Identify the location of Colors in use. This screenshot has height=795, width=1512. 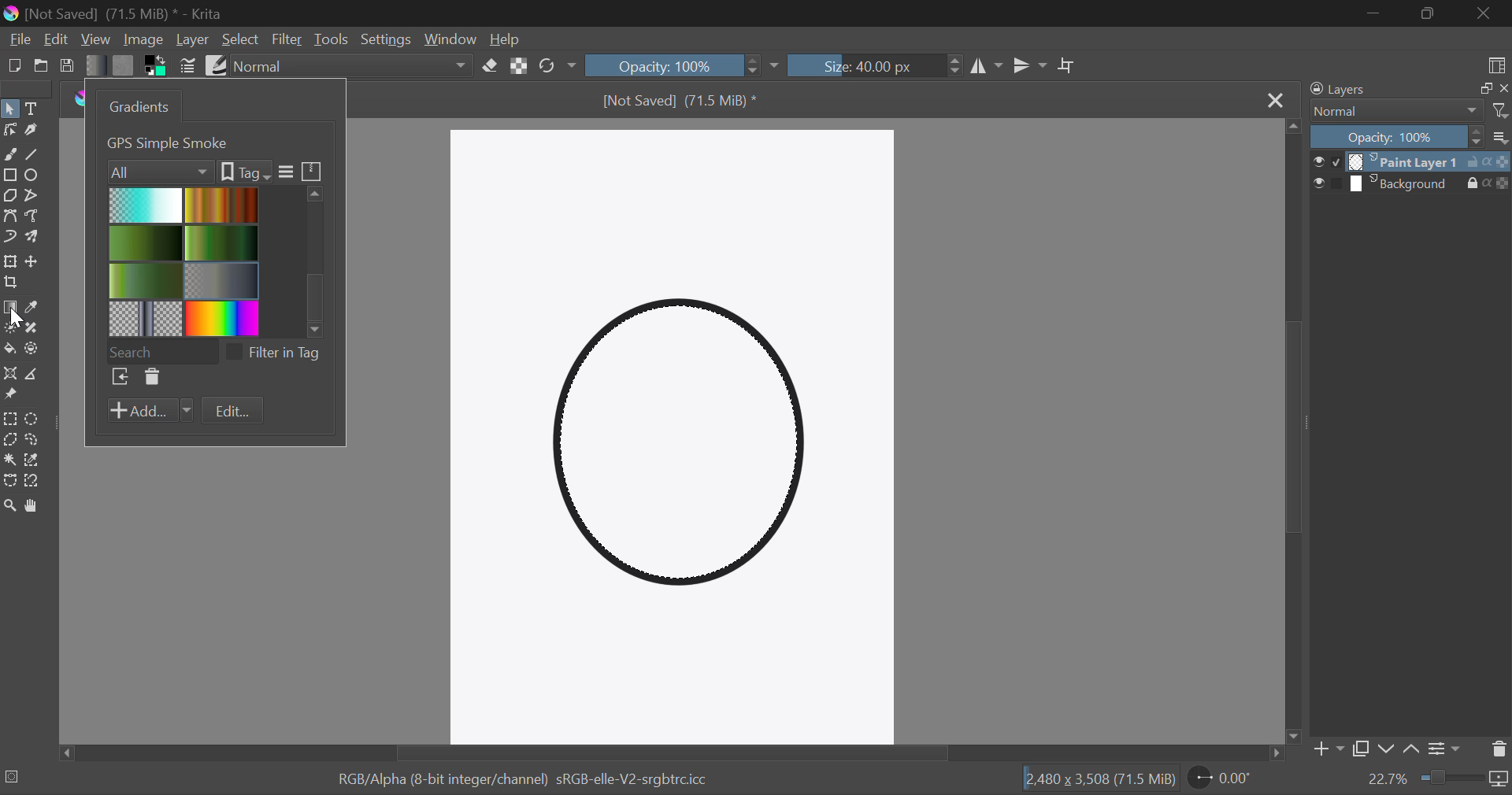
(156, 67).